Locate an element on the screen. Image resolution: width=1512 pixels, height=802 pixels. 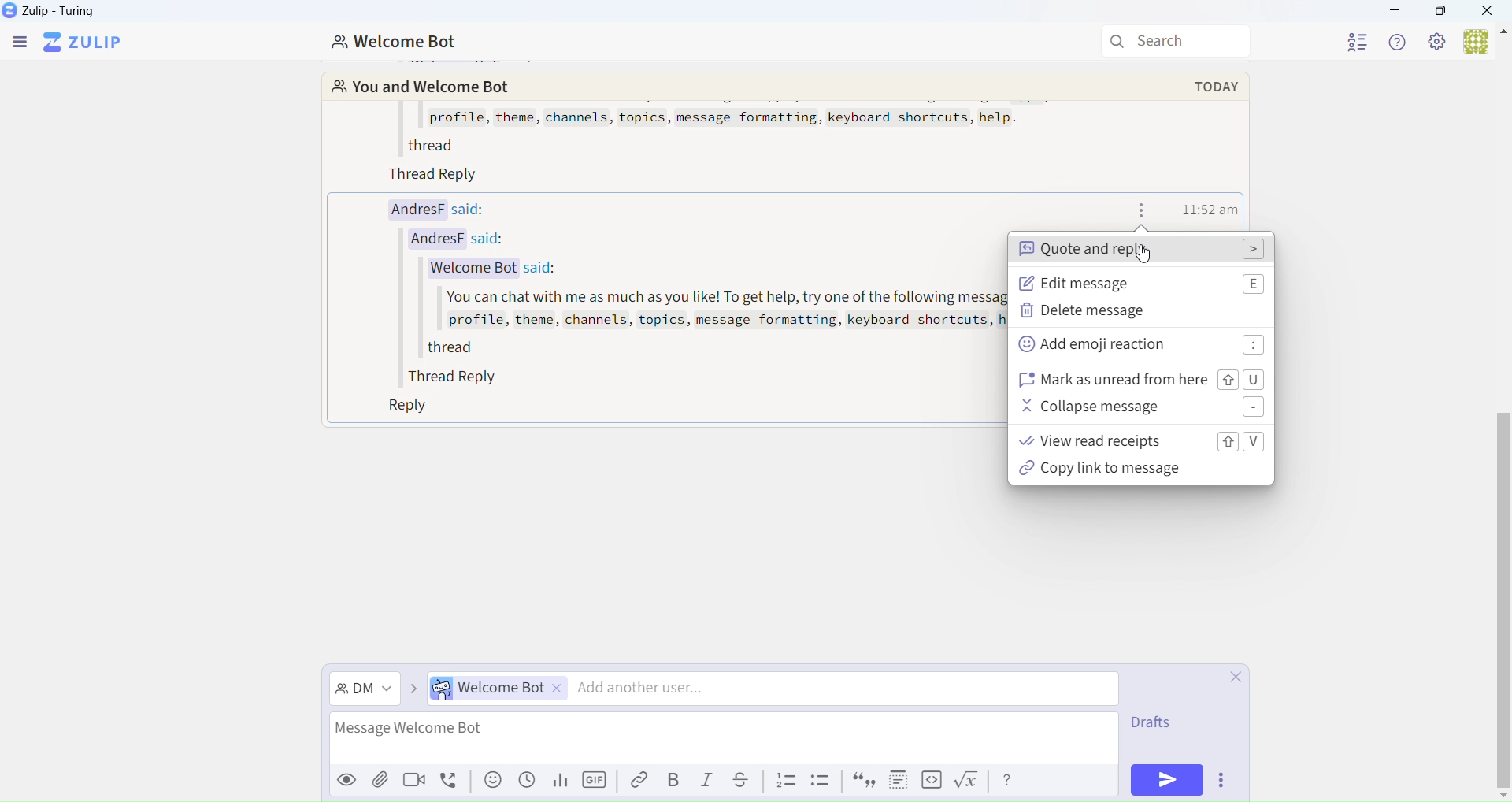
Write is located at coordinates (1115, 212).